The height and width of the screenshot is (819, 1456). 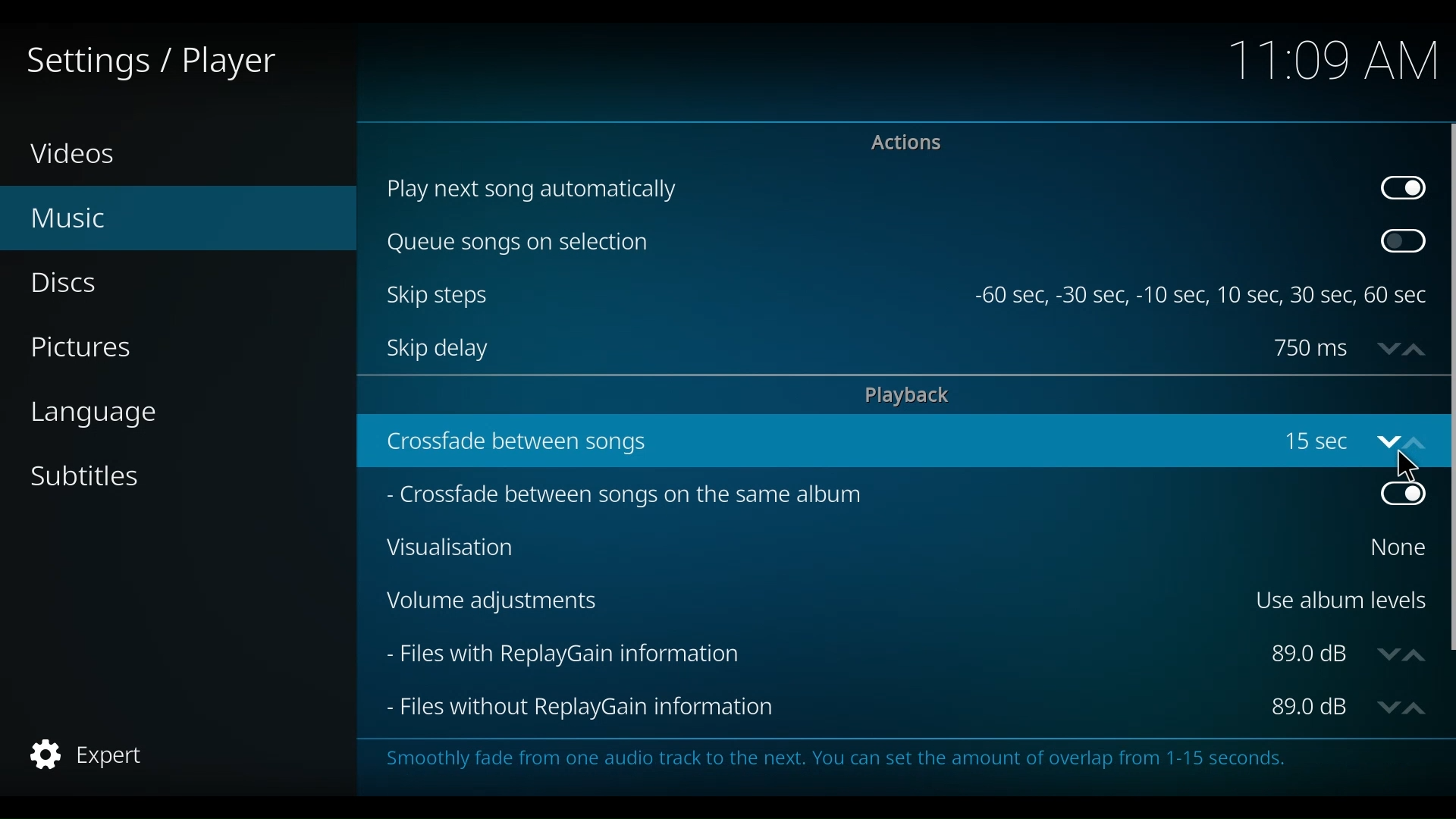 I want to click on -60 sec, -30 sec, -10 sec, 10 sec, 30 sec, 60 sec, so click(x=1200, y=297).